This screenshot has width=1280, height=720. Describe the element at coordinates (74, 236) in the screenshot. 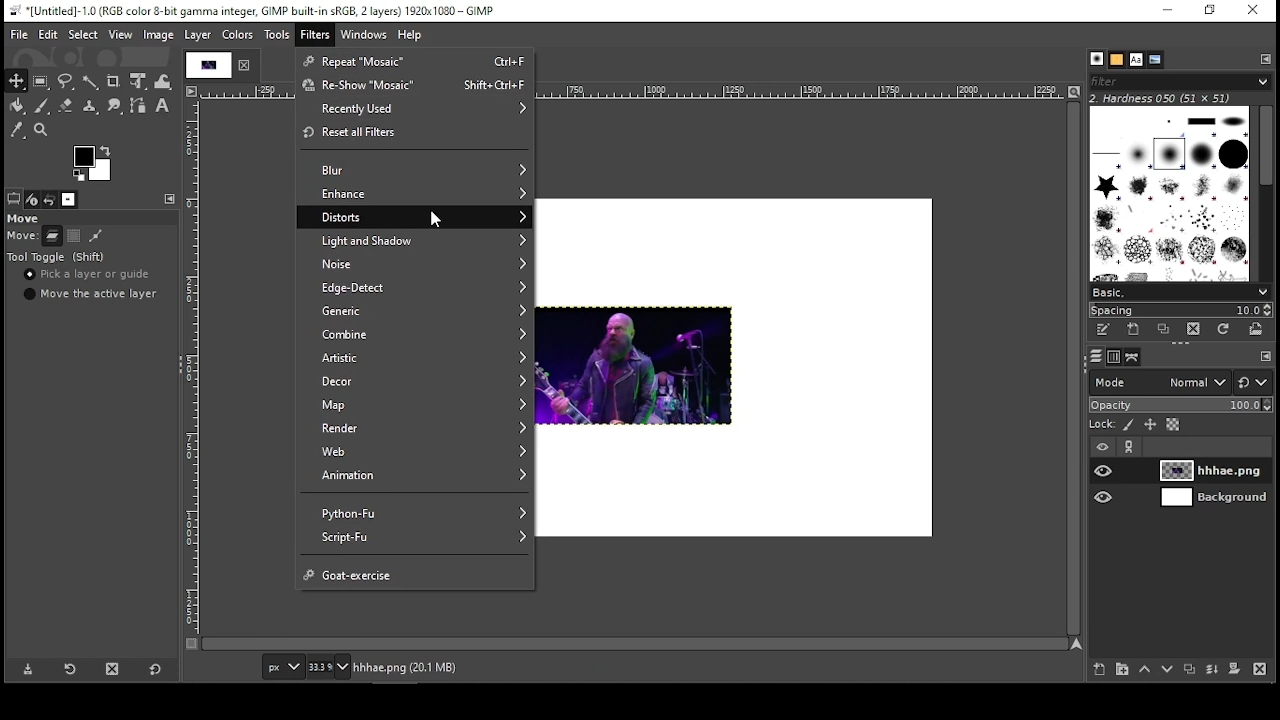

I see `move channels` at that location.